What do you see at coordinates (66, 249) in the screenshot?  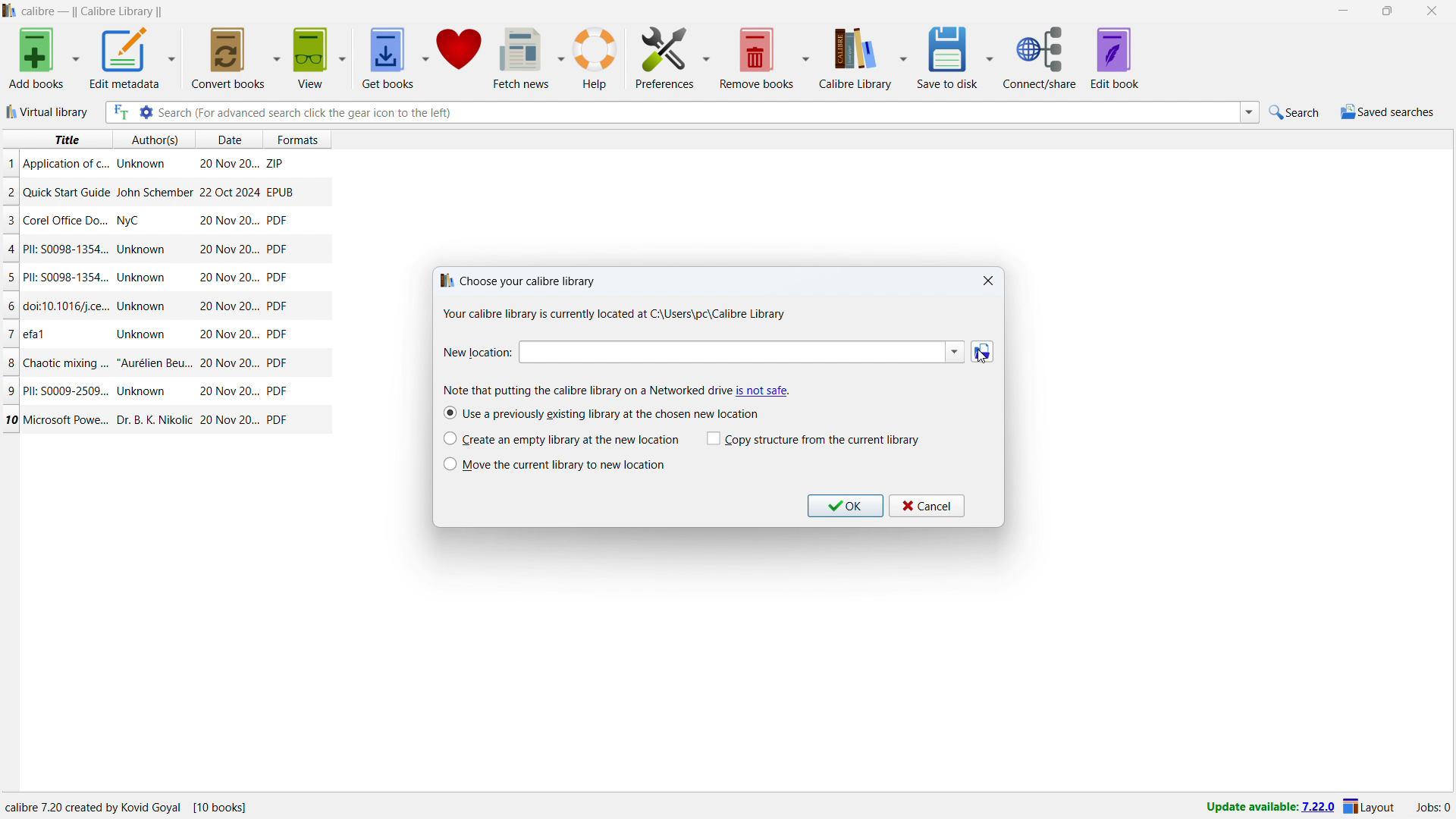 I see `Title` at bounding box center [66, 249].